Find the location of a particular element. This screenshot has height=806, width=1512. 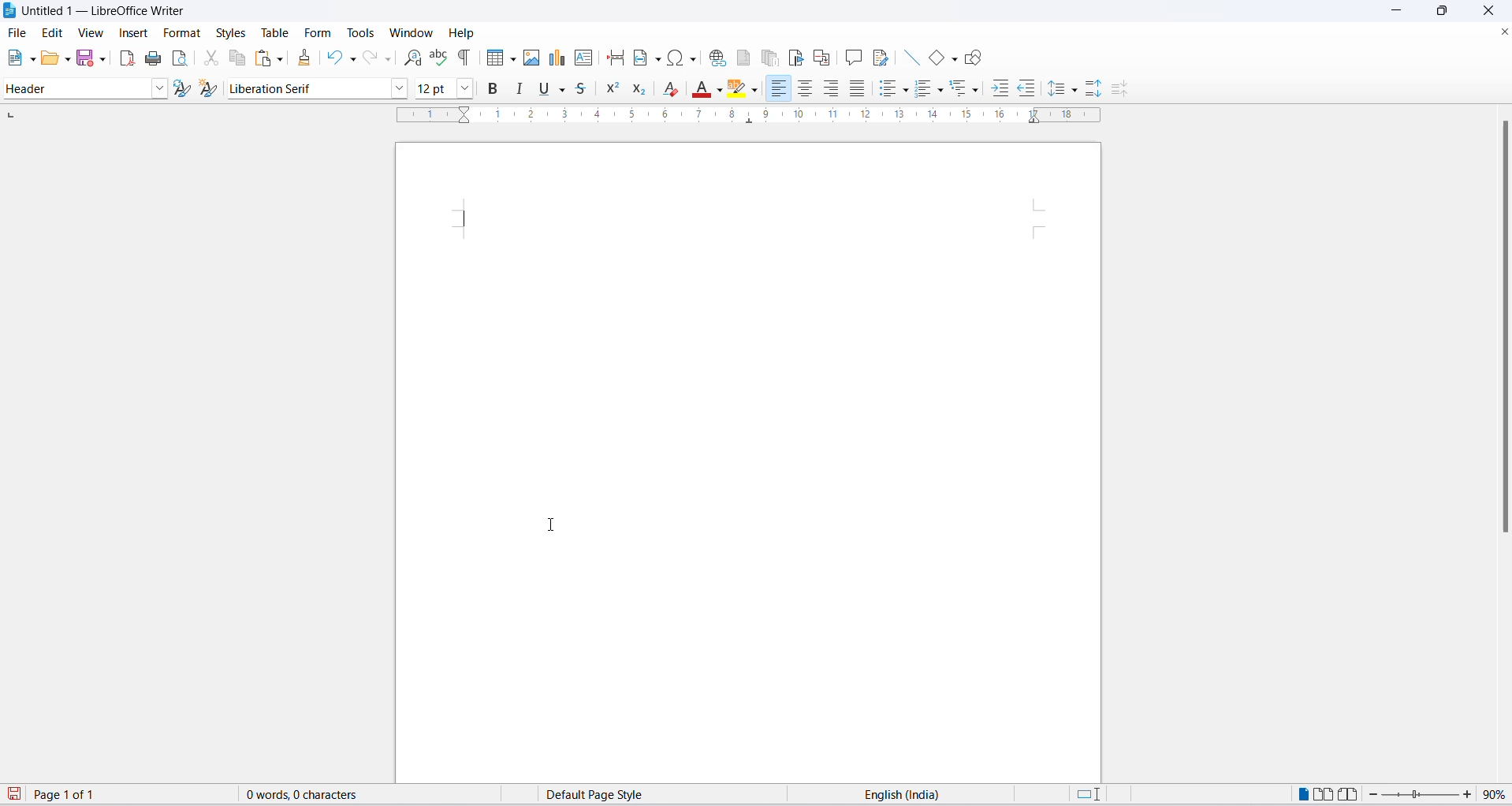

insert image is located at coordinates (533, 59).